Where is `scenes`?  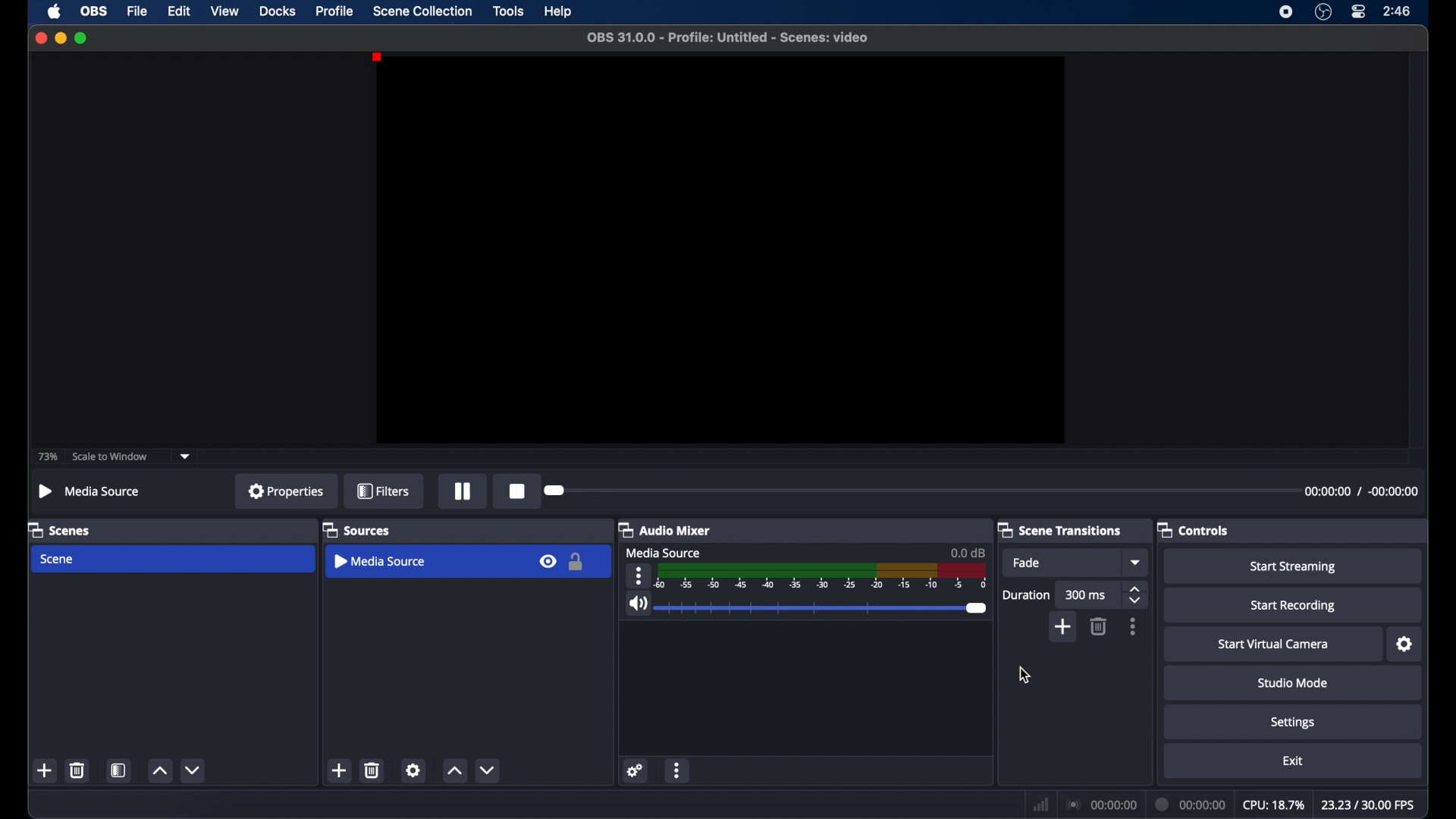
scenes is located at coordinates (60, 529).